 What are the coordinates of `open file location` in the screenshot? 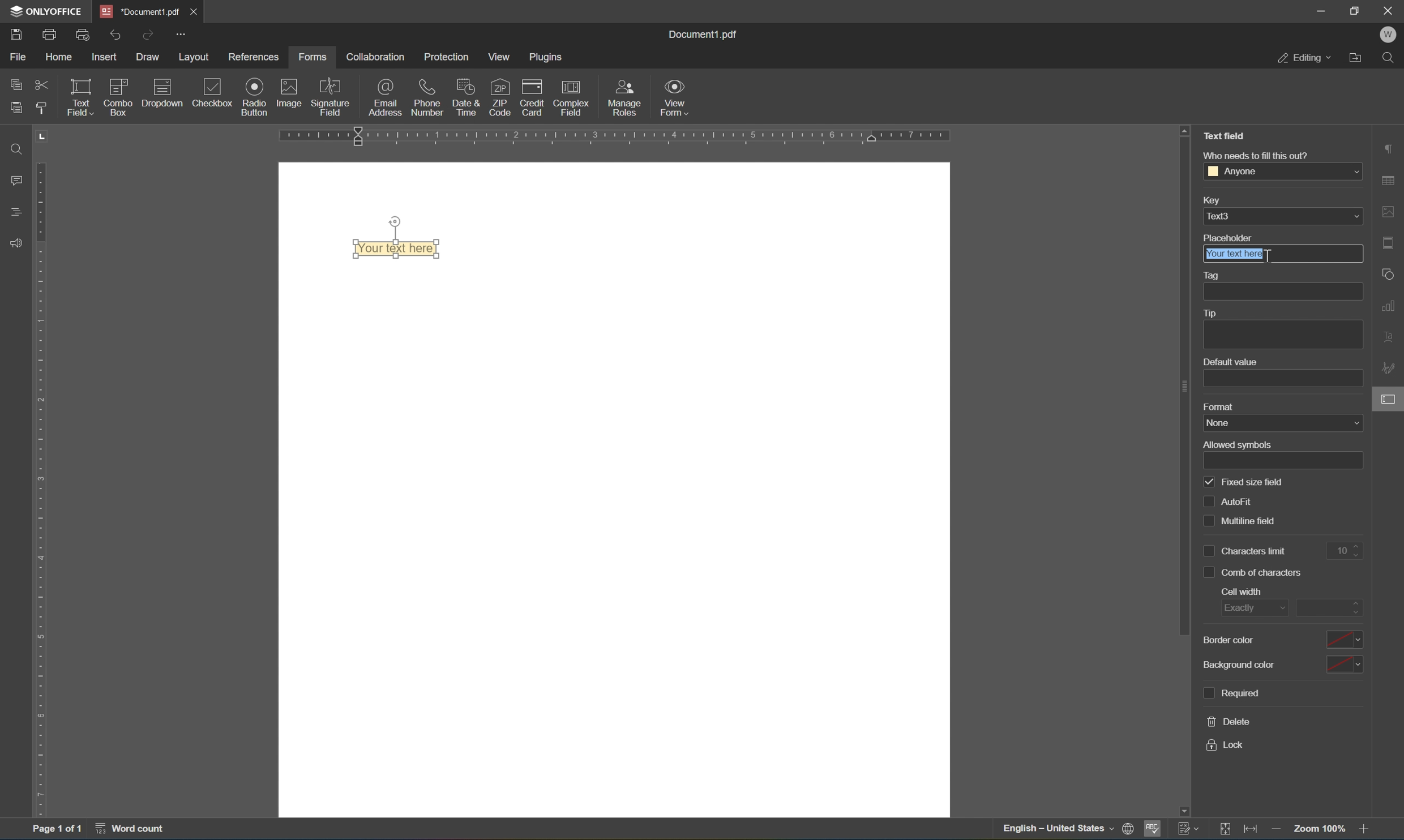 It's located at (1358, 58).